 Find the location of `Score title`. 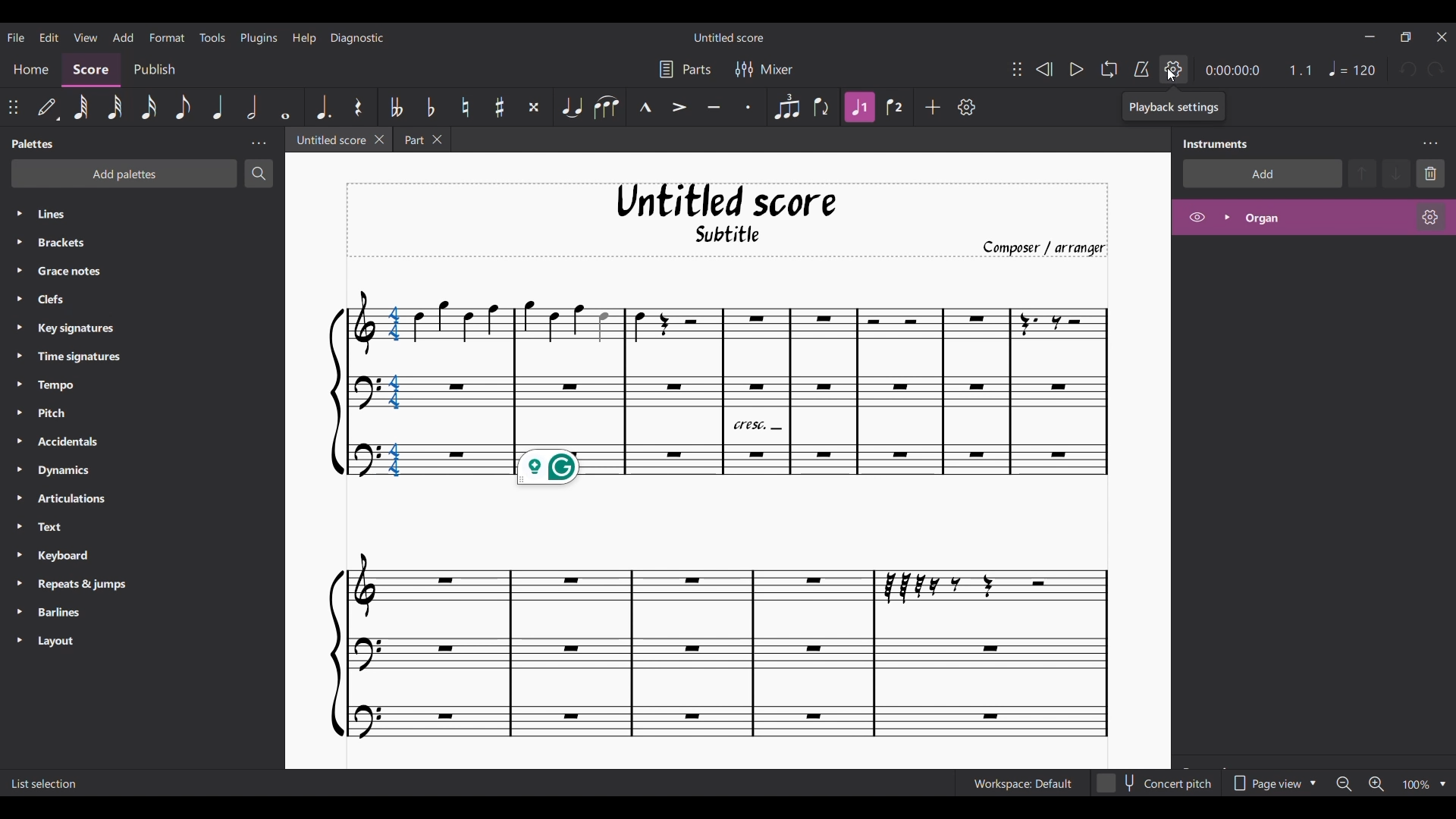

Score title is located at coordinates (728, 37).